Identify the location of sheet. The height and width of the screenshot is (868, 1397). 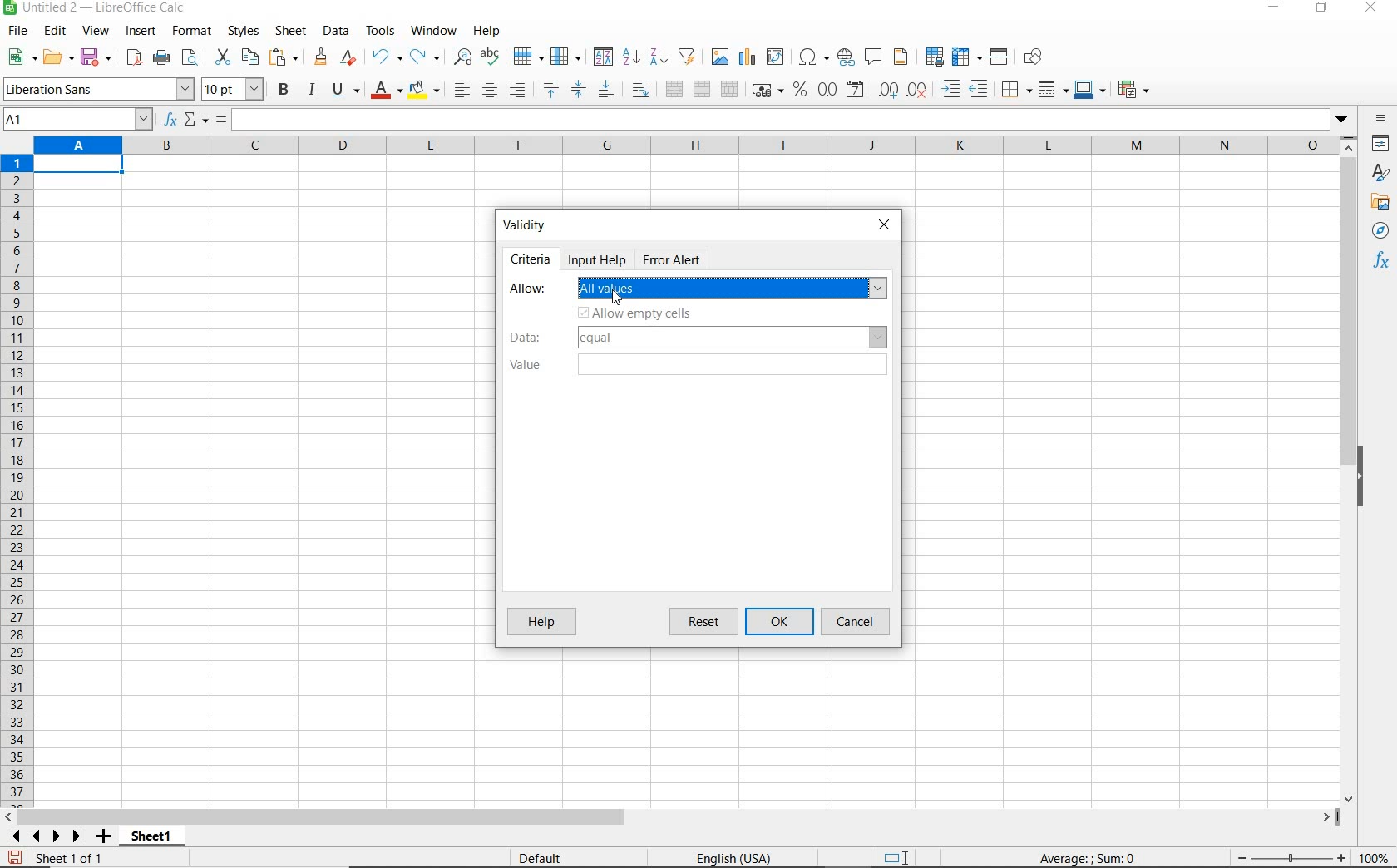
(292, 32).